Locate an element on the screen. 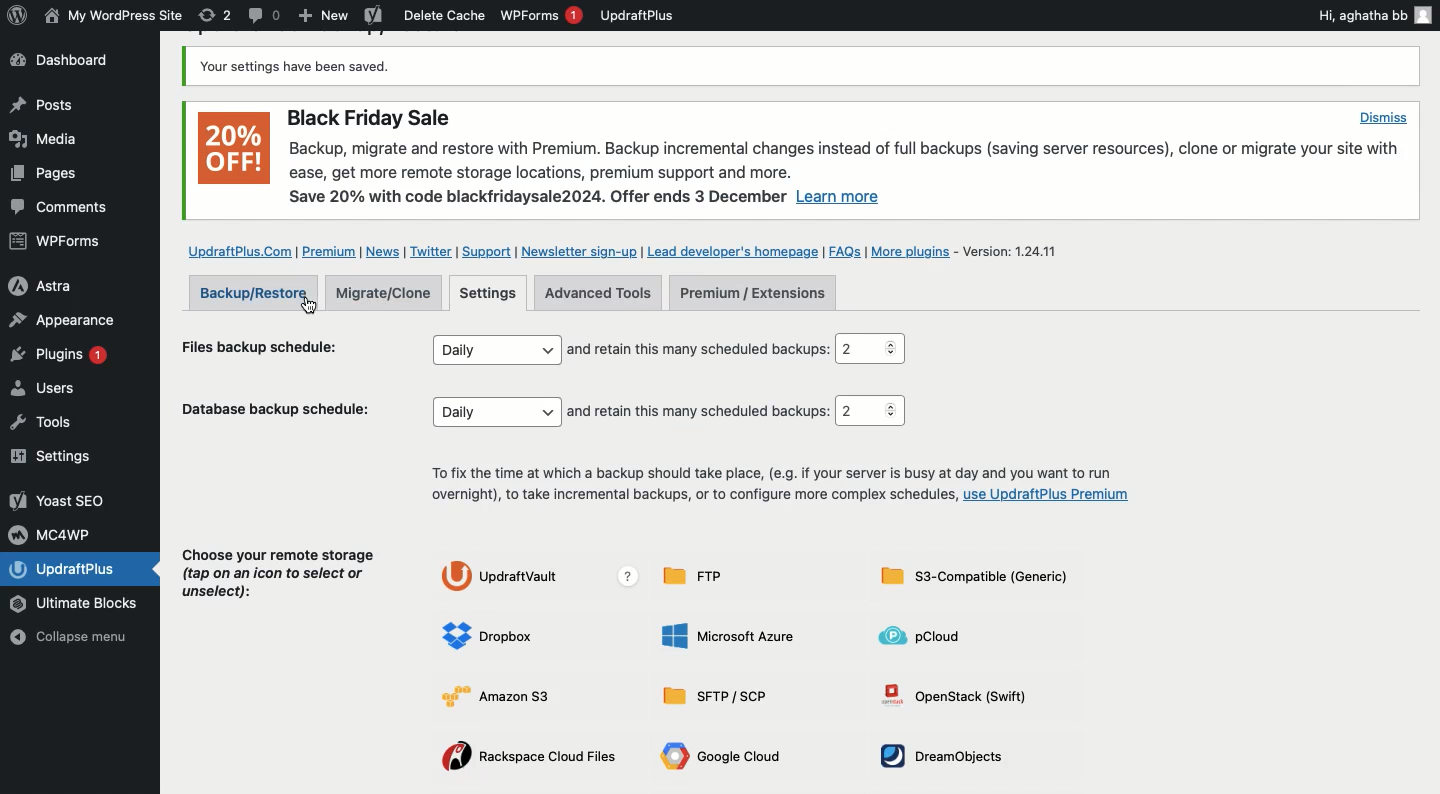  2 is located at coordinates (871, 411).